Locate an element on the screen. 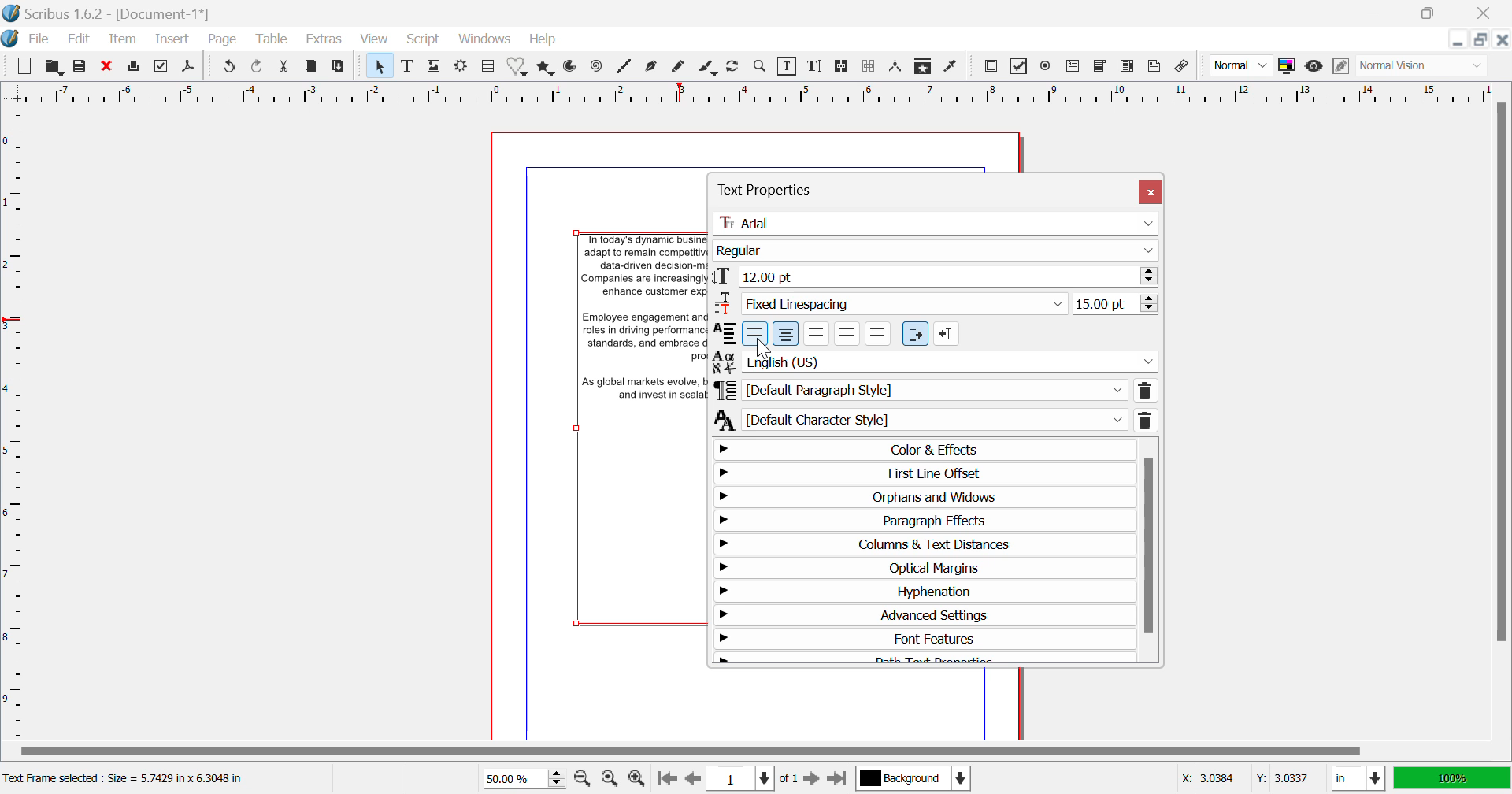  Previous Page is located at coordinates (694, 779).